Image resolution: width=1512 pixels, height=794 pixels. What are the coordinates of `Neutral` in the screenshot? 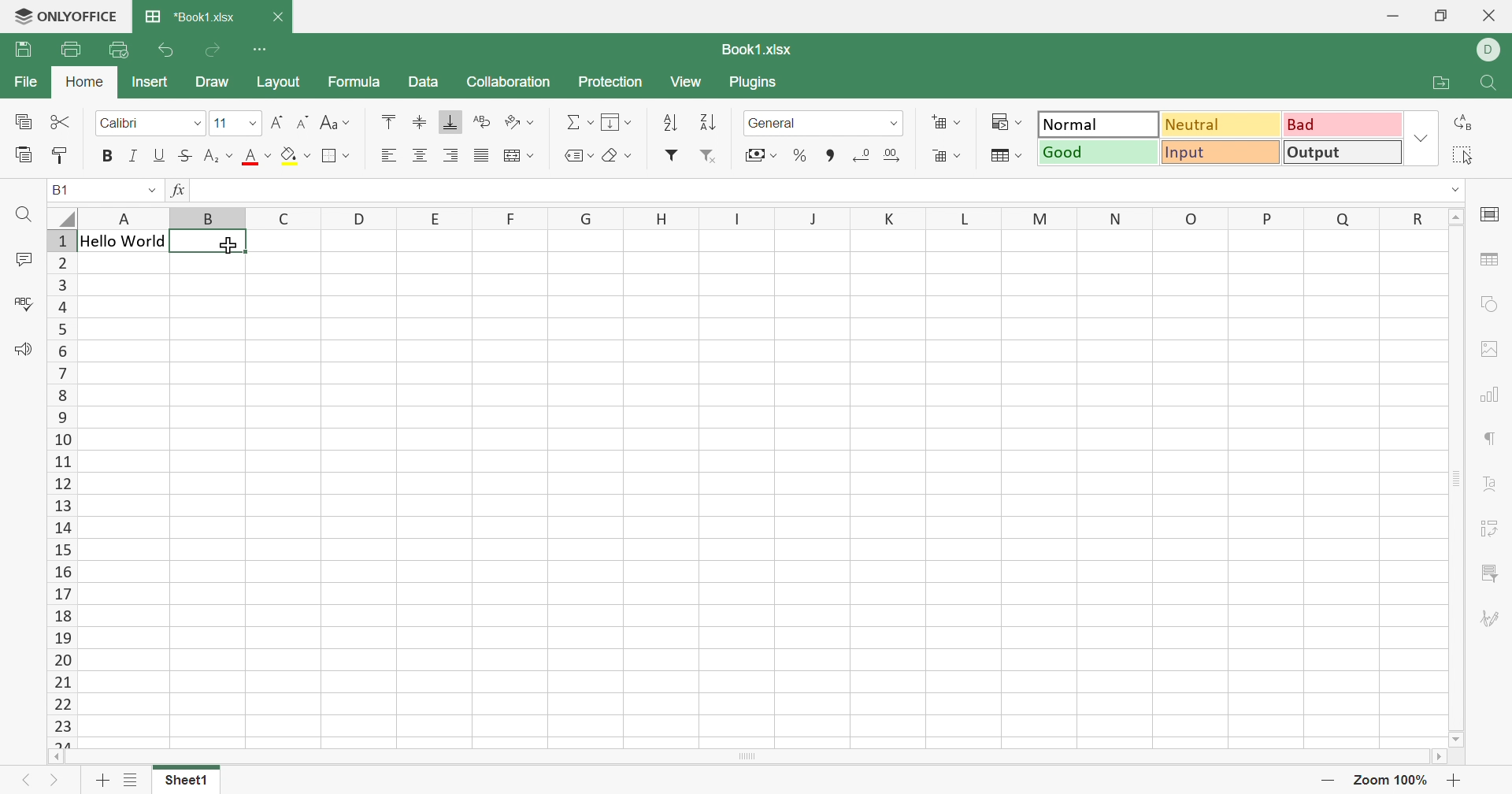 It's located at (1220, 126).